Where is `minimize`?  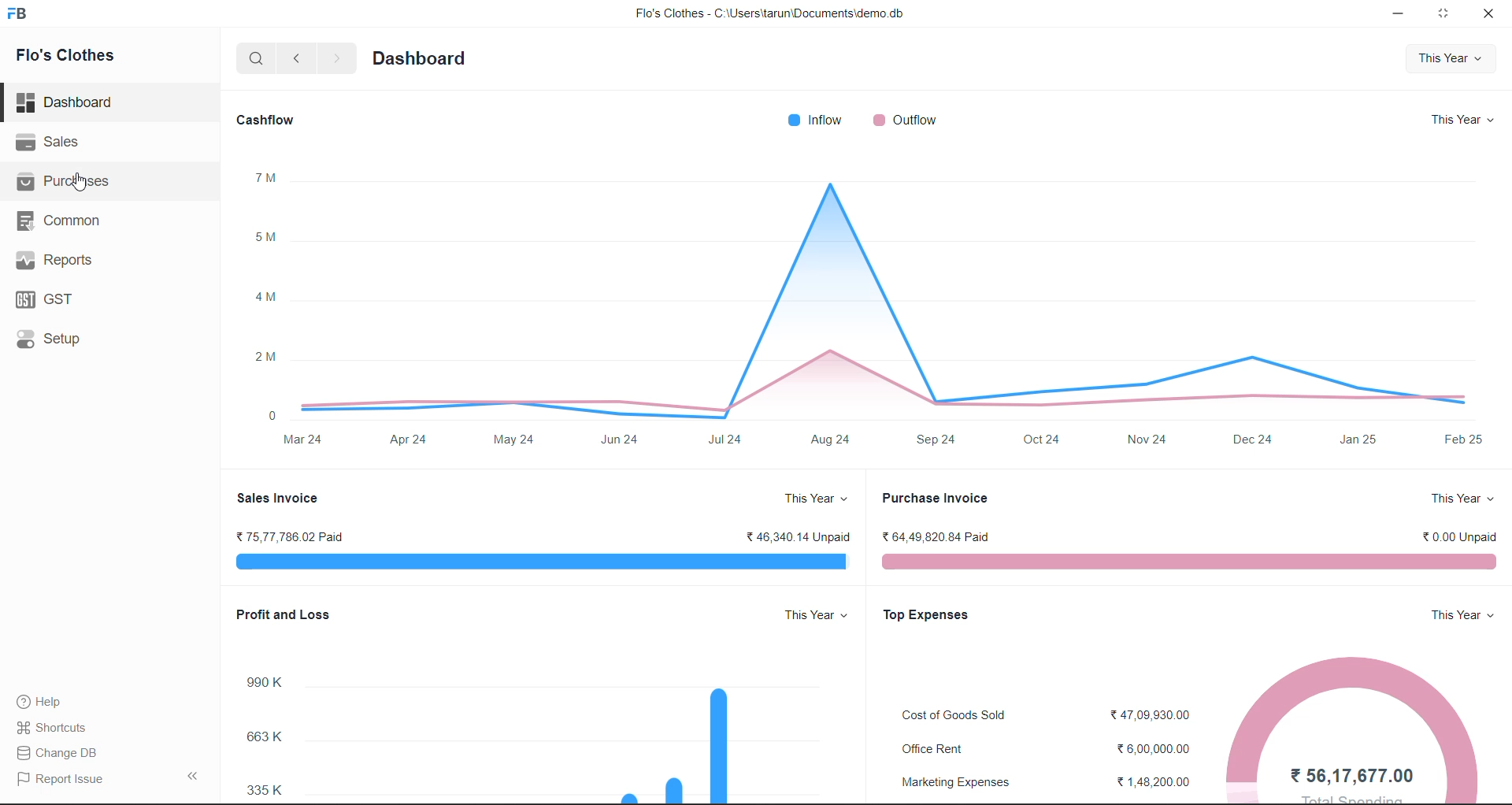 minimize is located at coordinates (1402, 13).